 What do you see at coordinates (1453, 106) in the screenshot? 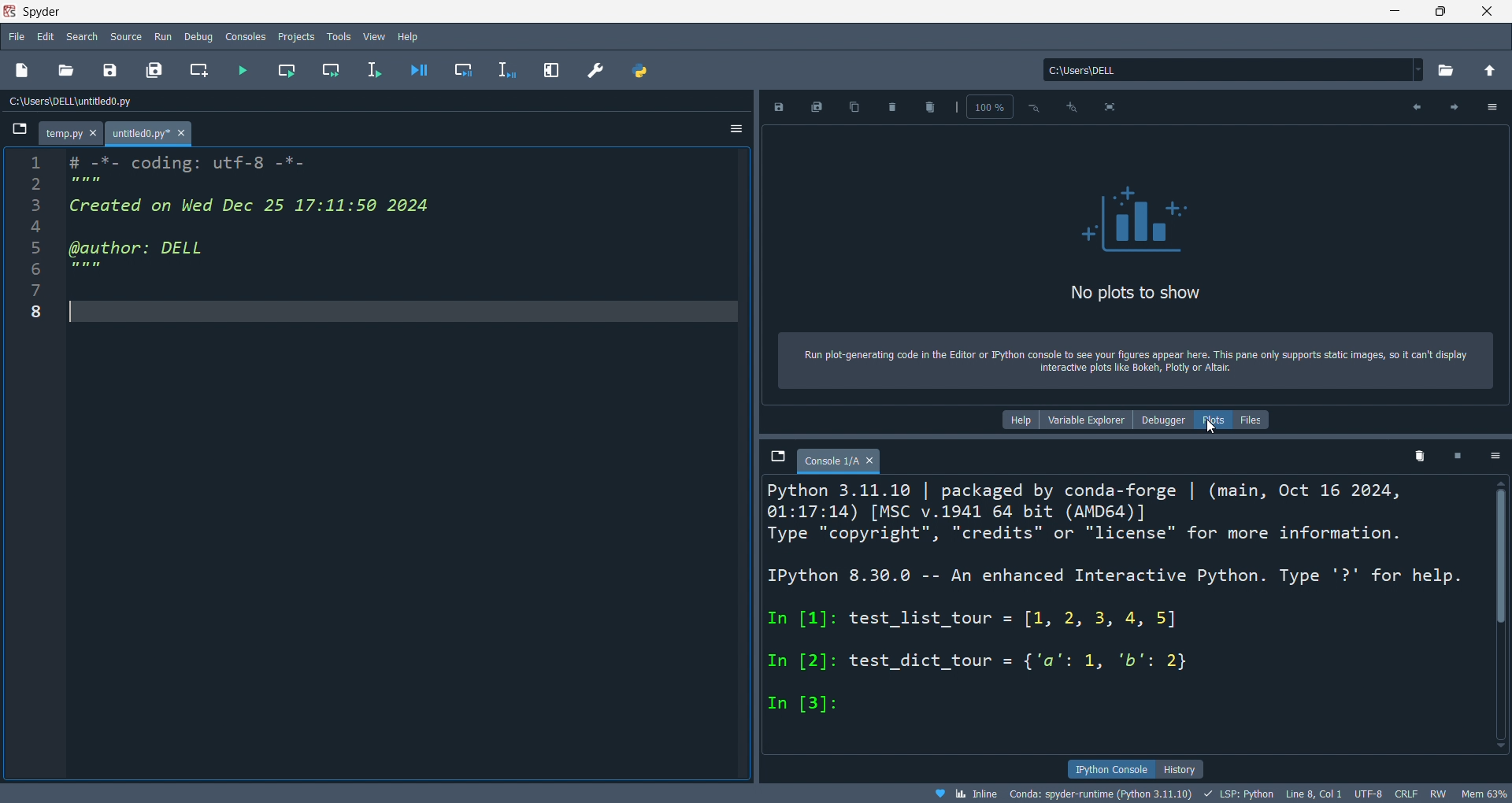
I see `go forward` at bounding box center [1453, 106].